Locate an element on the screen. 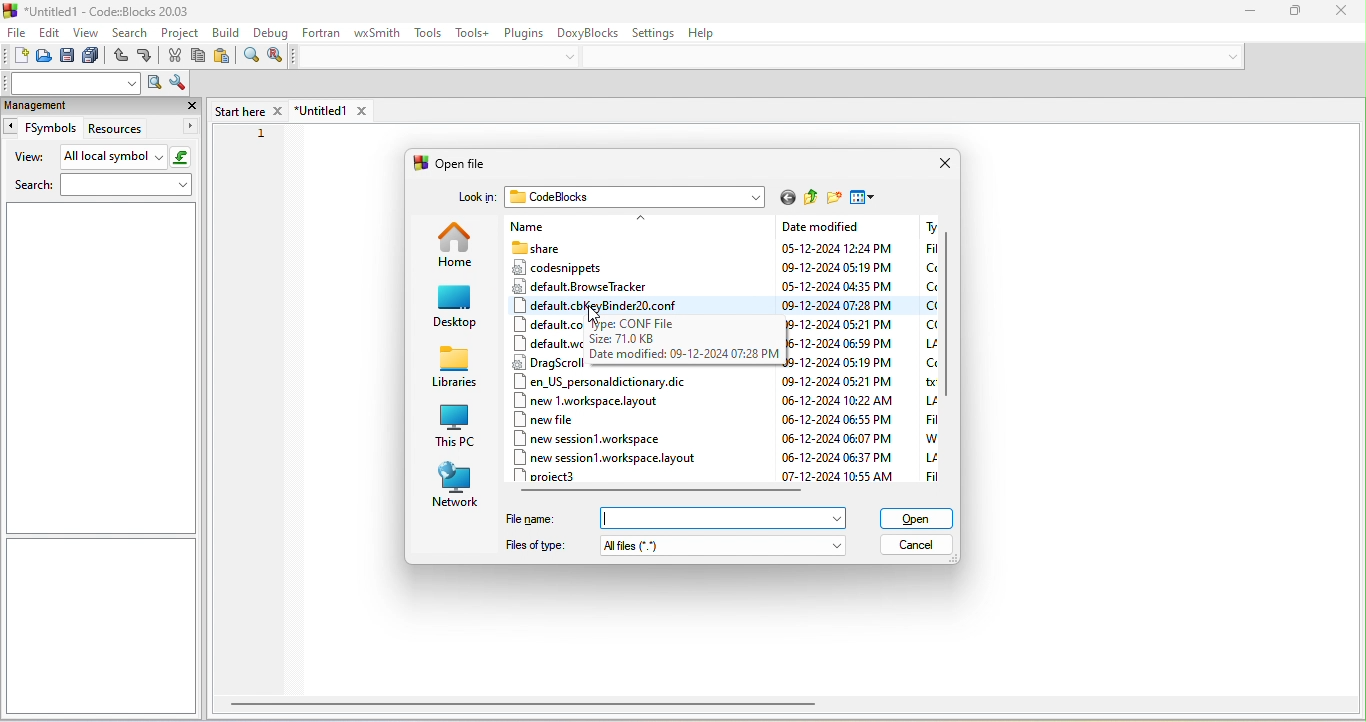 Image resolution: width=1366 pixels, height=722 pixels. libraries is located at coordinates (453, 372).